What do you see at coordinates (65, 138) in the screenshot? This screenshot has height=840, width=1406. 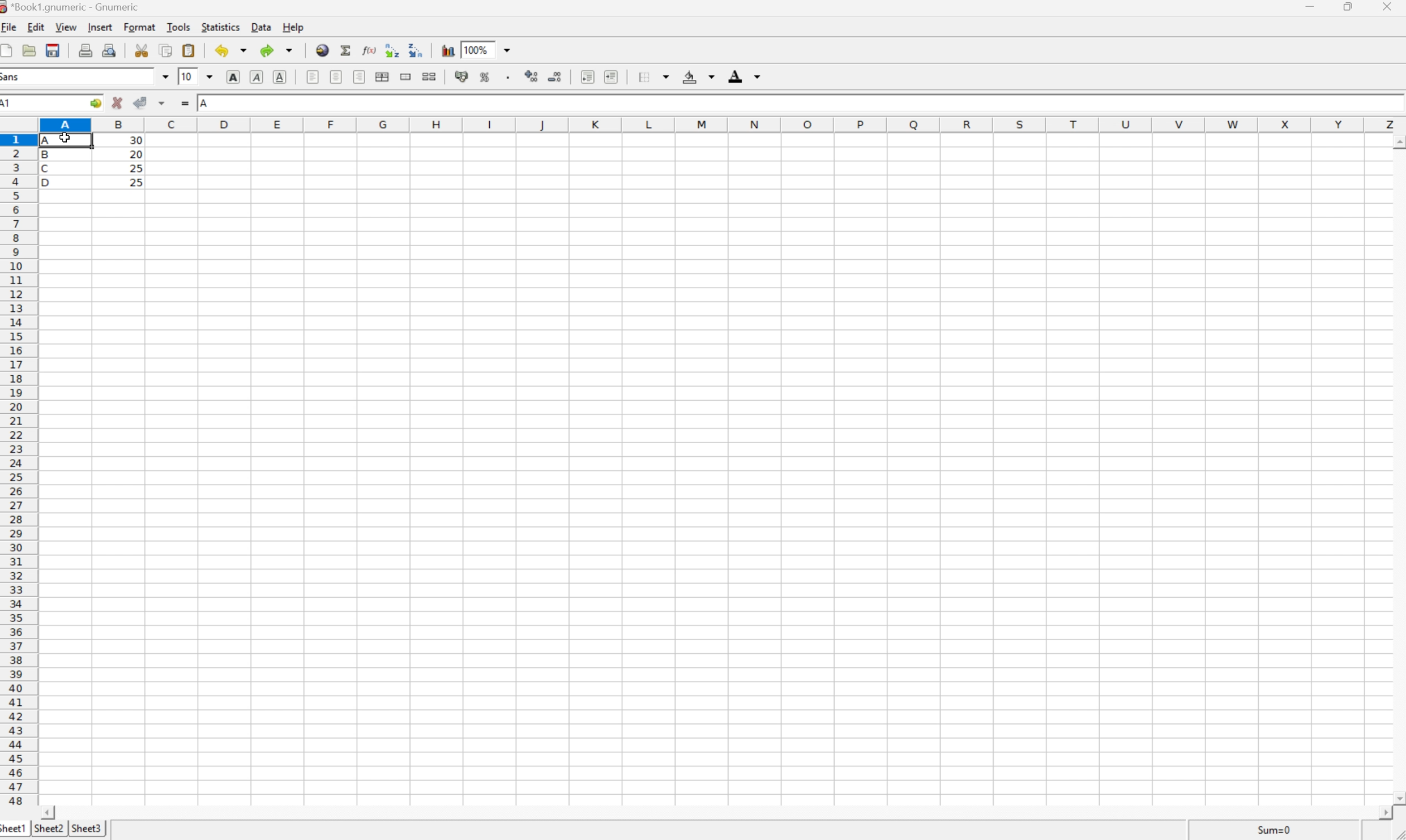 I see `Cursor` at bounding box center [65, 138].